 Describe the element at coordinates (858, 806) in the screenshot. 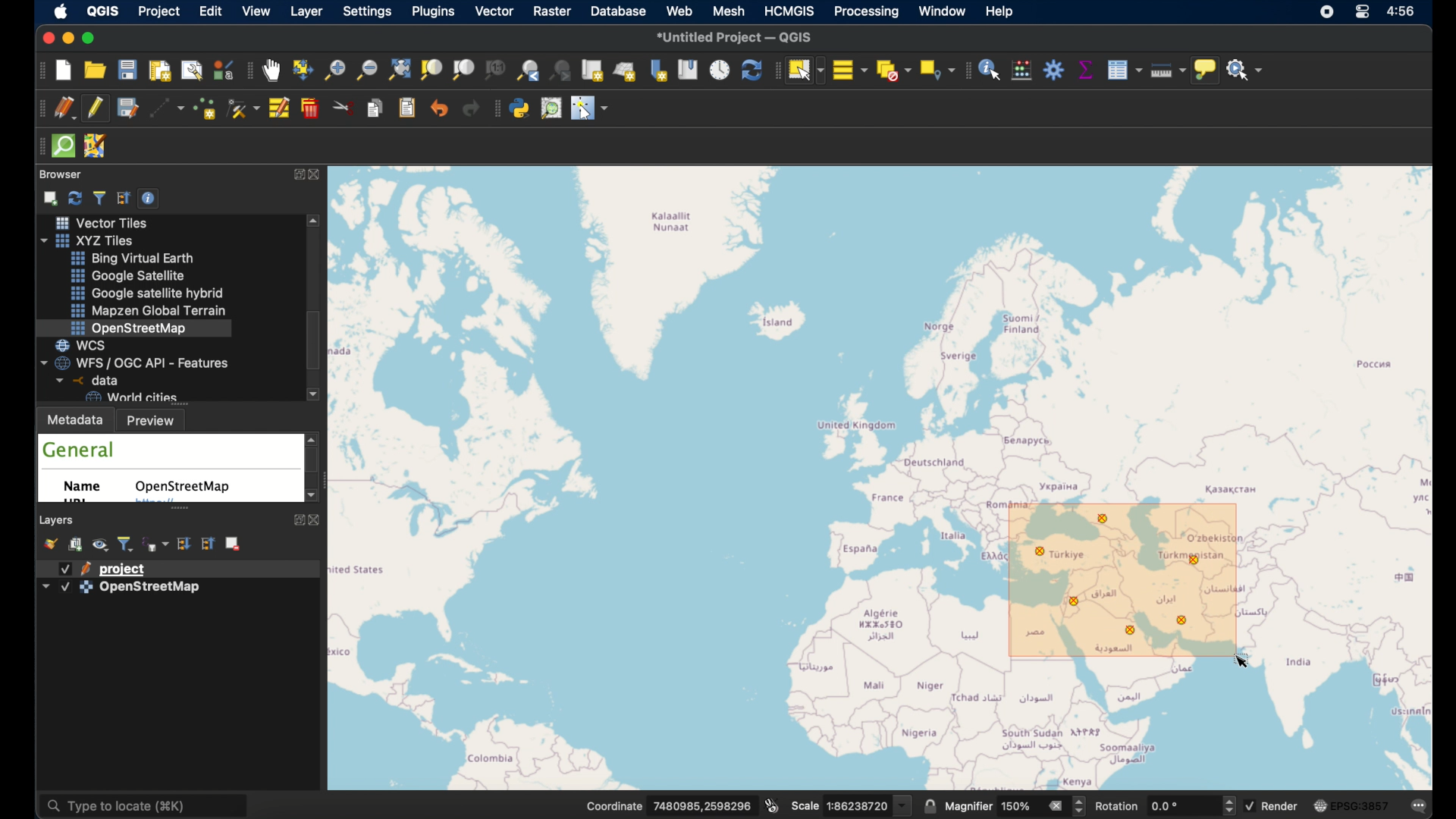

I see `Scale value` at that location.